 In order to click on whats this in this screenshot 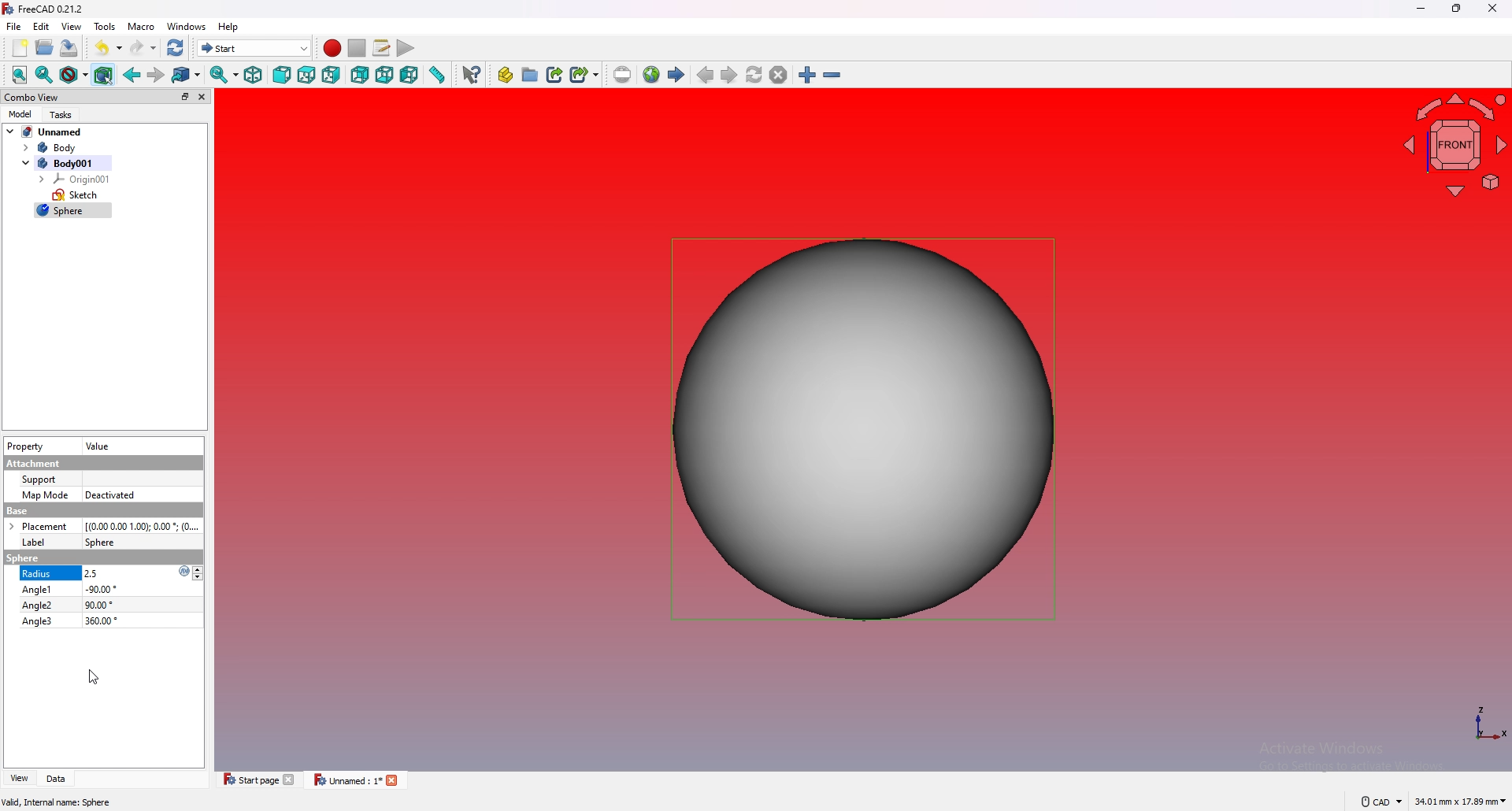, I will do `click(472, 74)`.